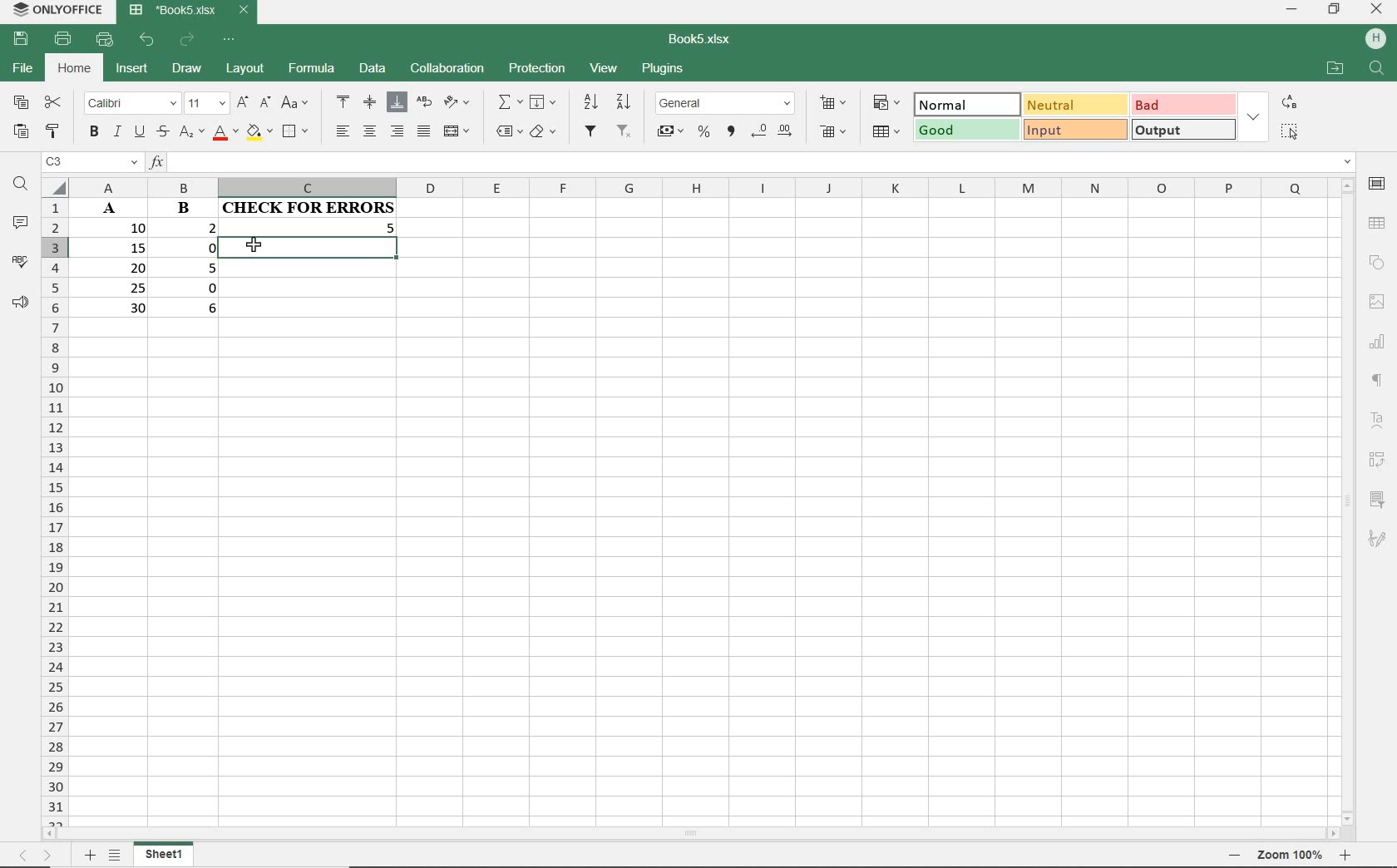 Image resolution: width=1397 pixels, height=868 pixels. Describe the element at coordinates (670, 131) in the screenshot. I see `ACCOUNTING STYLE` at that location.